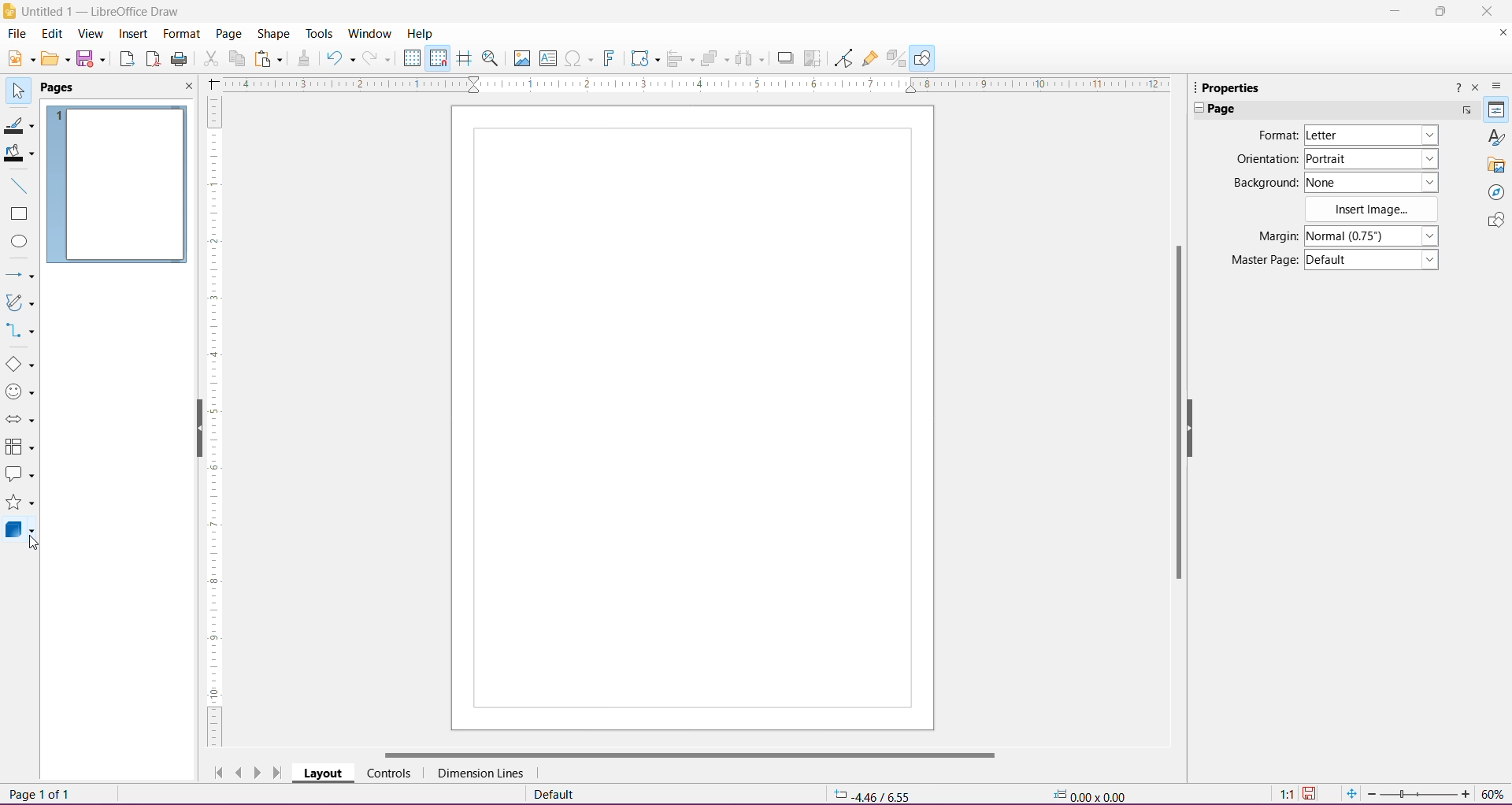 Image resolution: width=1512 pixels, height=805 pixels. Describe the element at coordinates (922, 57) in the screenshot. I see `Show Draw Functions` at that location.